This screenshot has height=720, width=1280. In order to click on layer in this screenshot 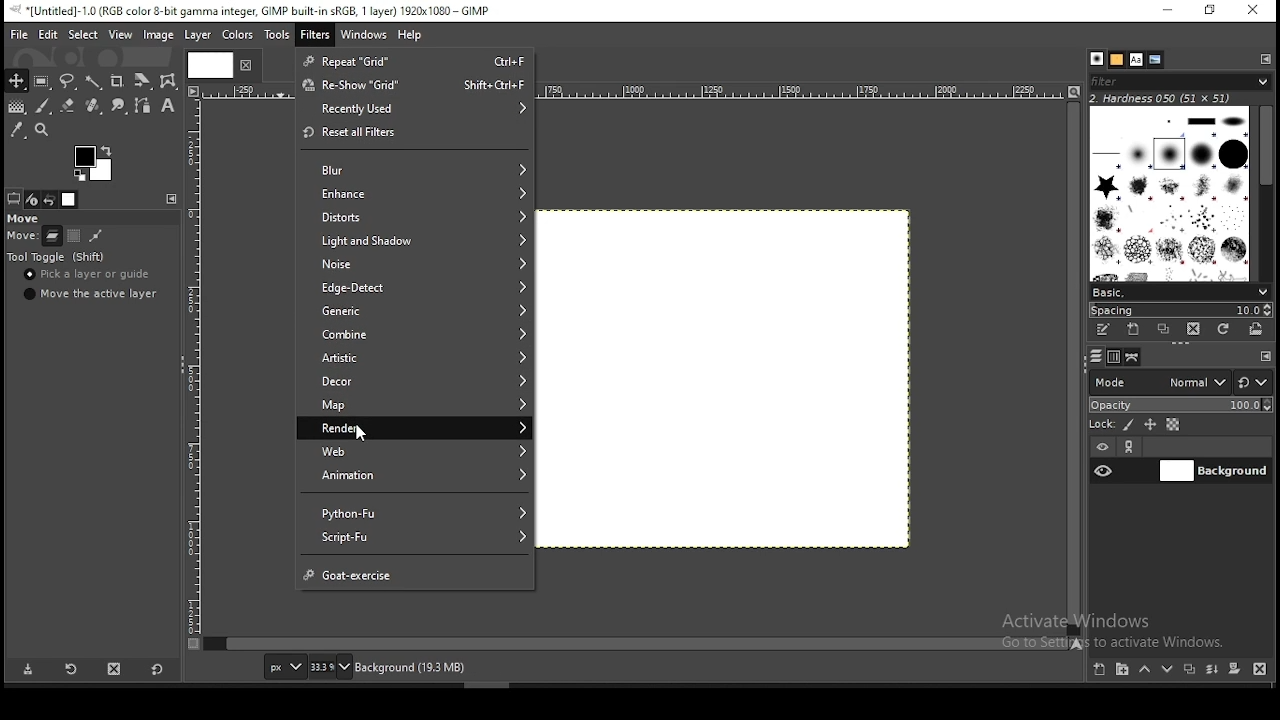, I will do `click(198, 35)`.